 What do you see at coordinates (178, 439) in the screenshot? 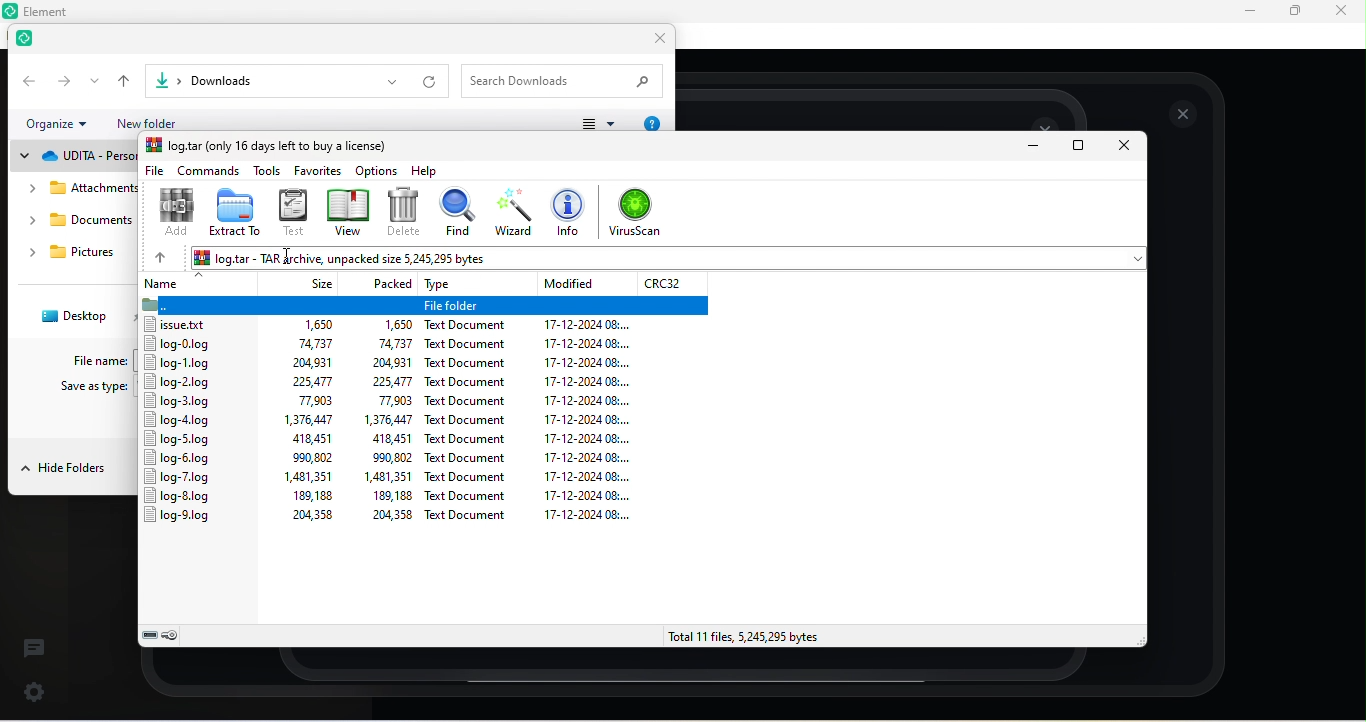
I see `log-5.log` at bounding box center [178, 439].